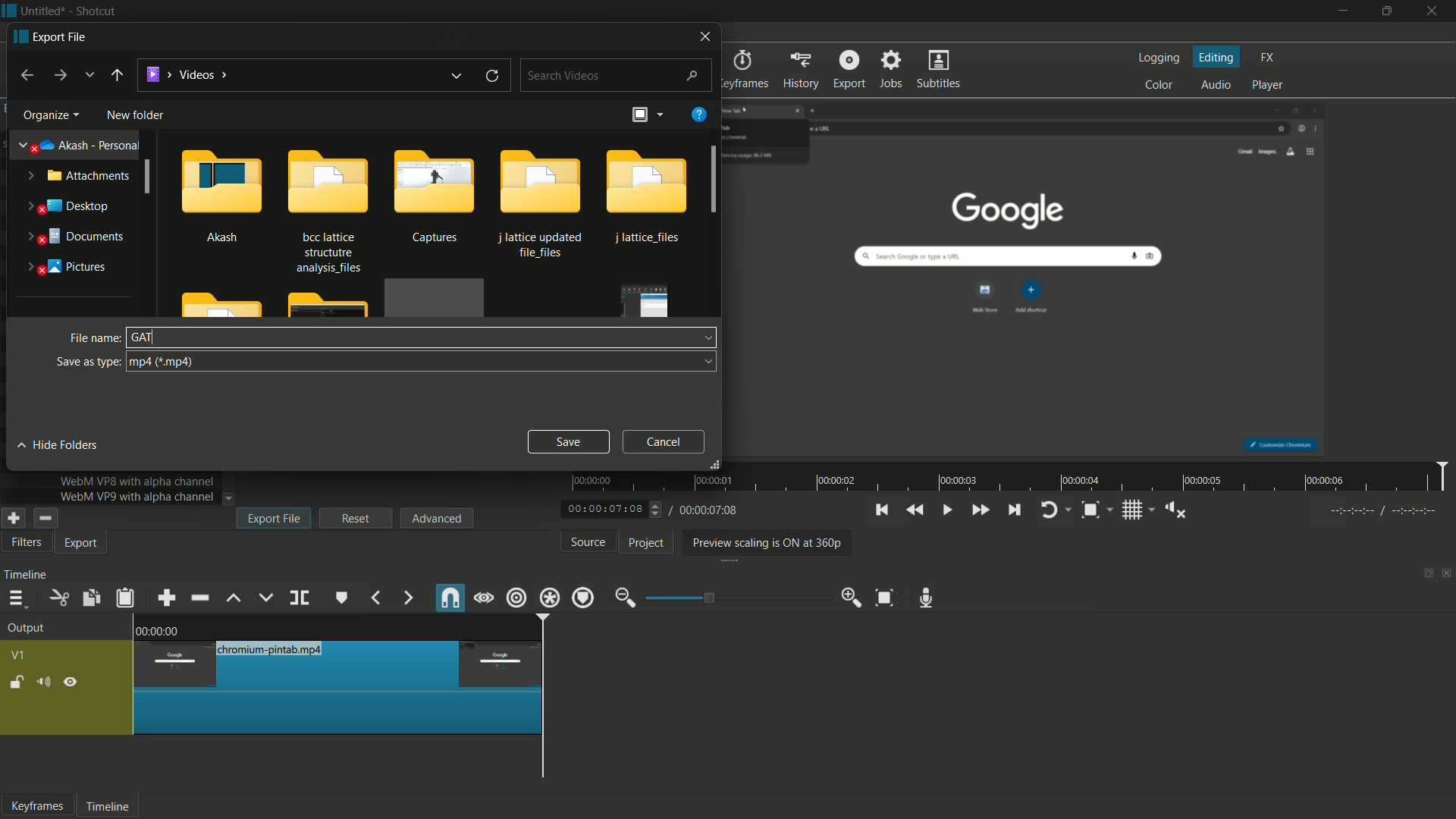 This screenshot has width=1456, height=819. I want to click on more option, so click(659, 115).